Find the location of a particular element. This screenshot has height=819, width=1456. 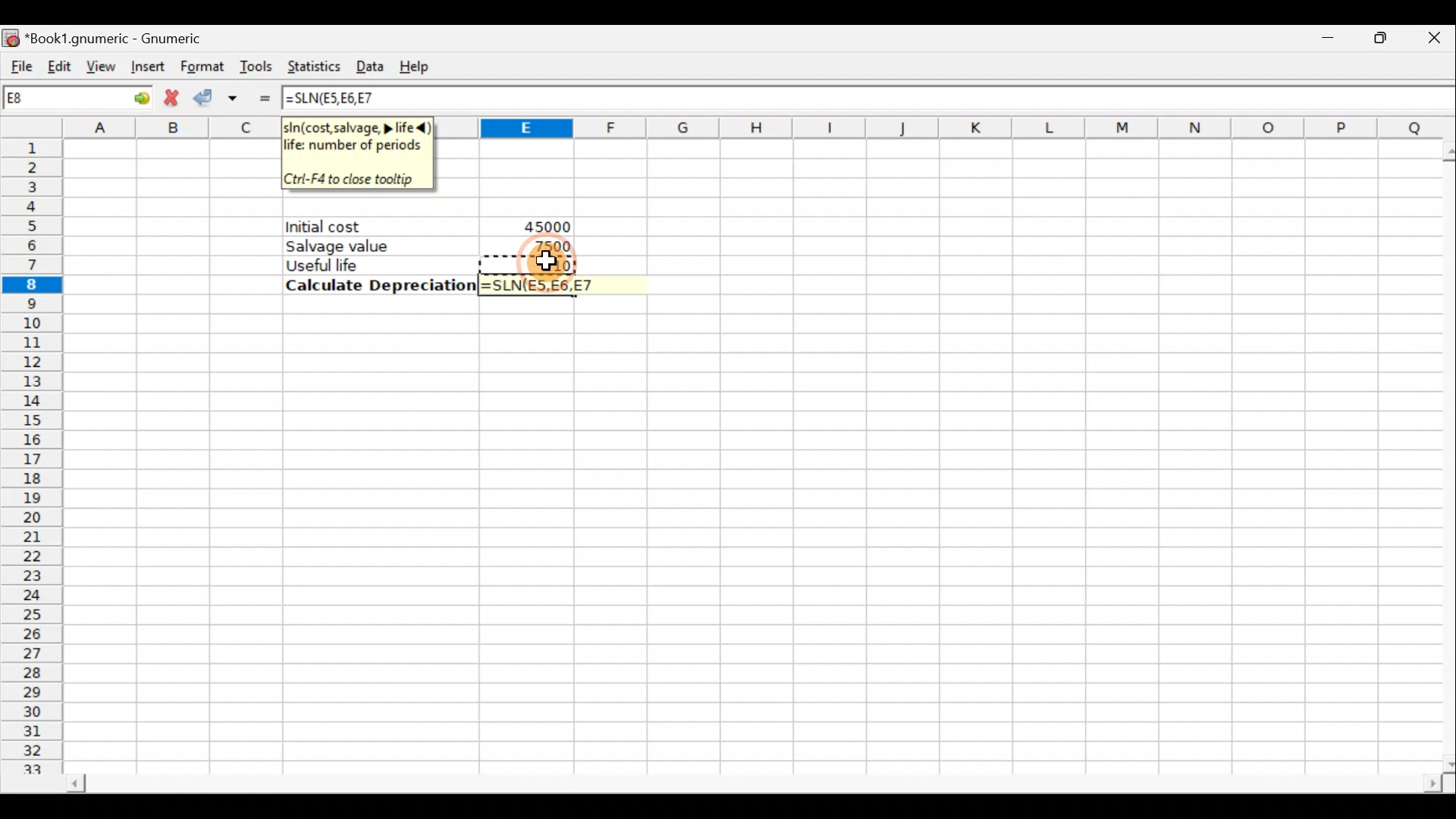

Initial cost is located at coordinates (382, 227).